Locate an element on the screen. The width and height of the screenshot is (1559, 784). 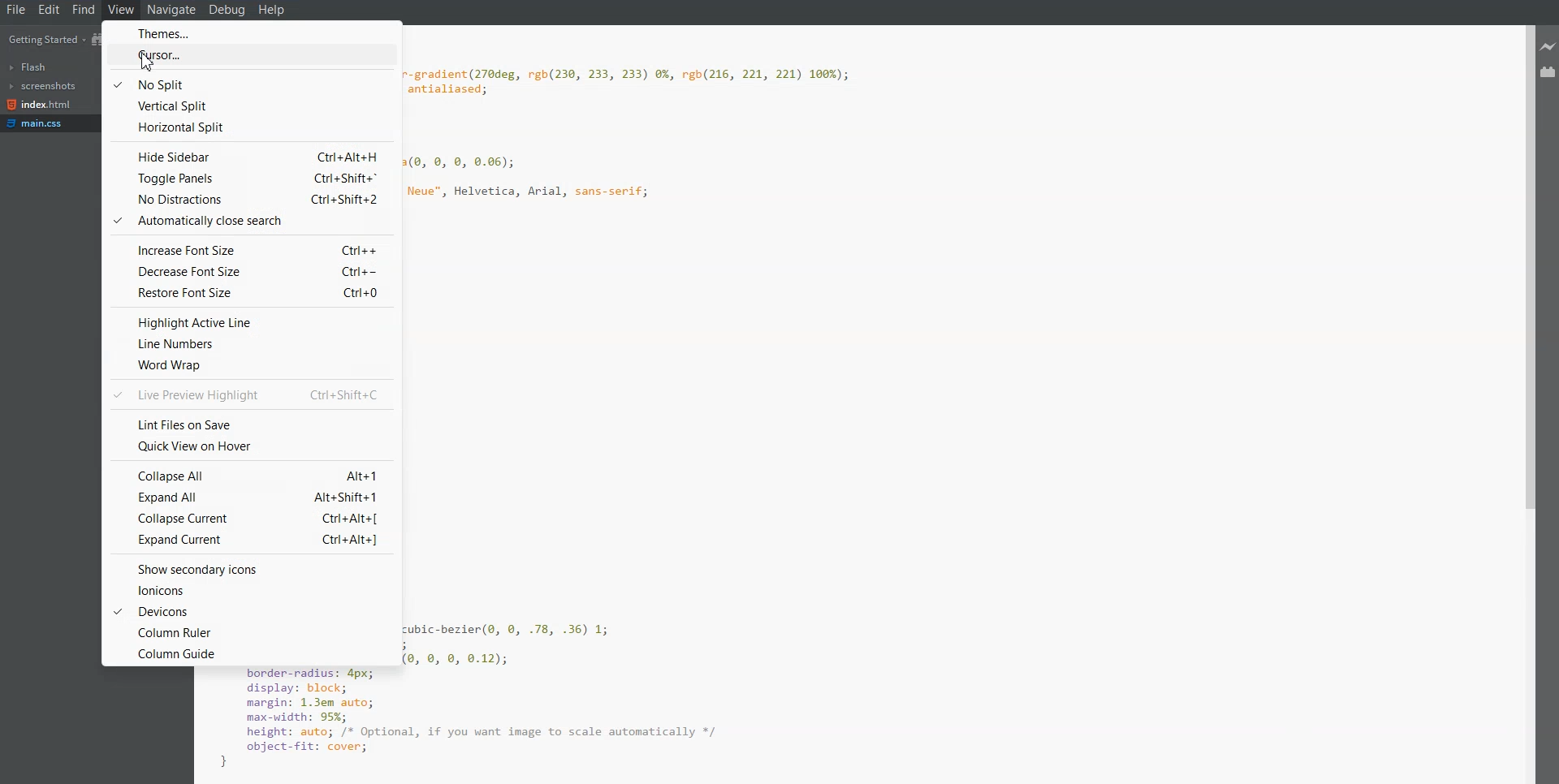
Restore Font Size is located at coordinates (248, 292).